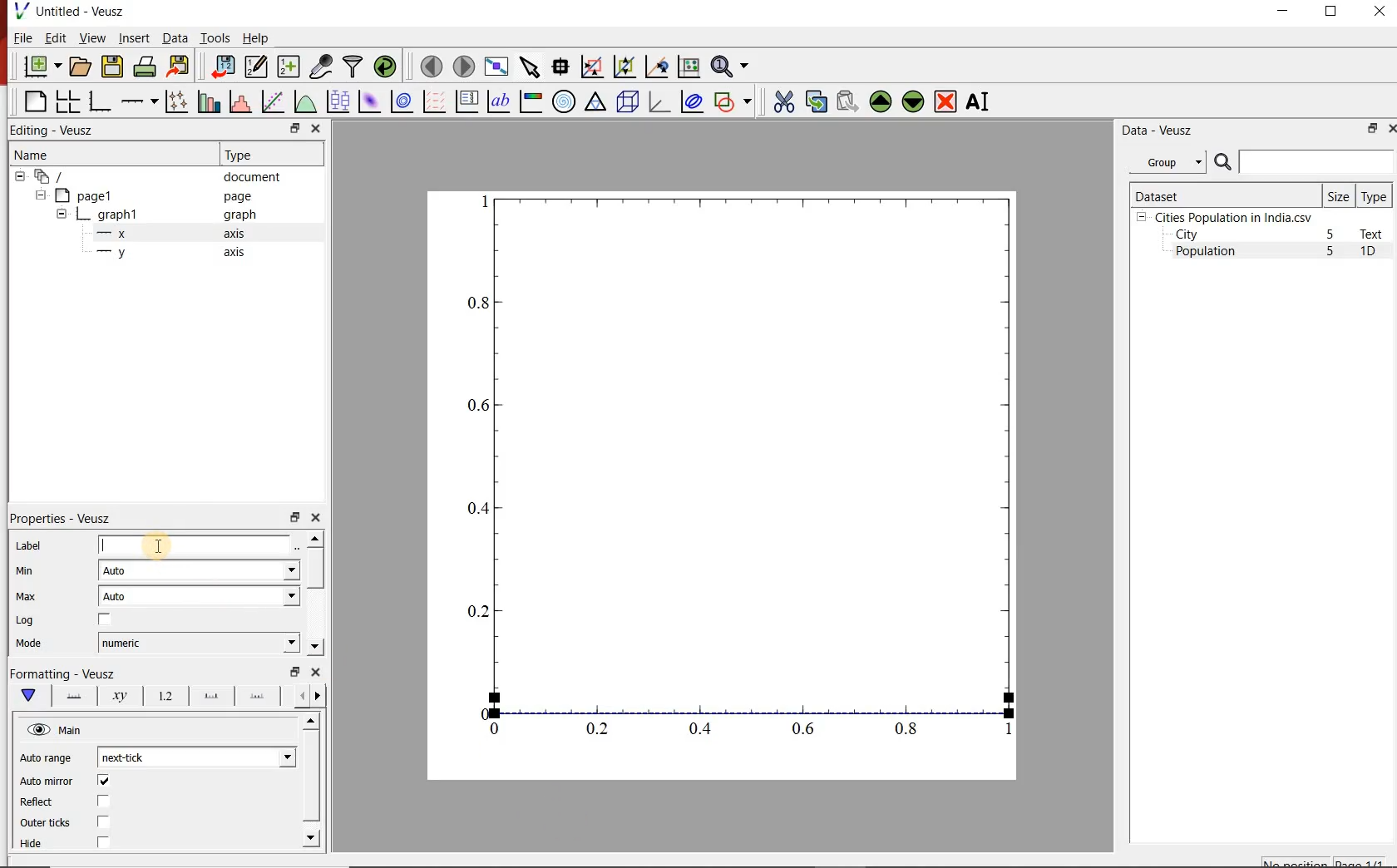  Describe the element at coordinates (1375, 253) in the screenshot. I see `1D` at that location.